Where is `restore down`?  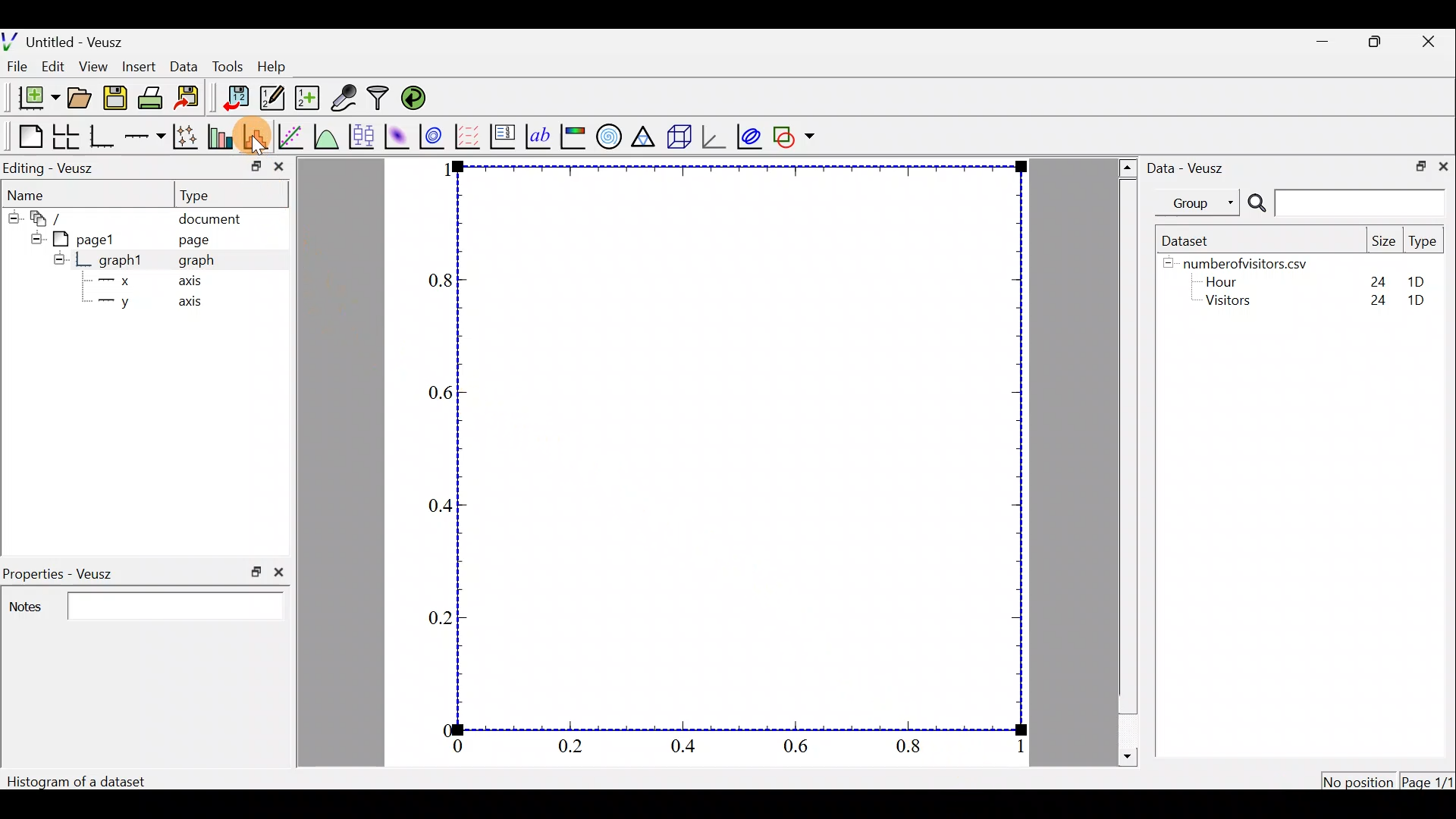 restore down is located at coordinates (1379, 44).